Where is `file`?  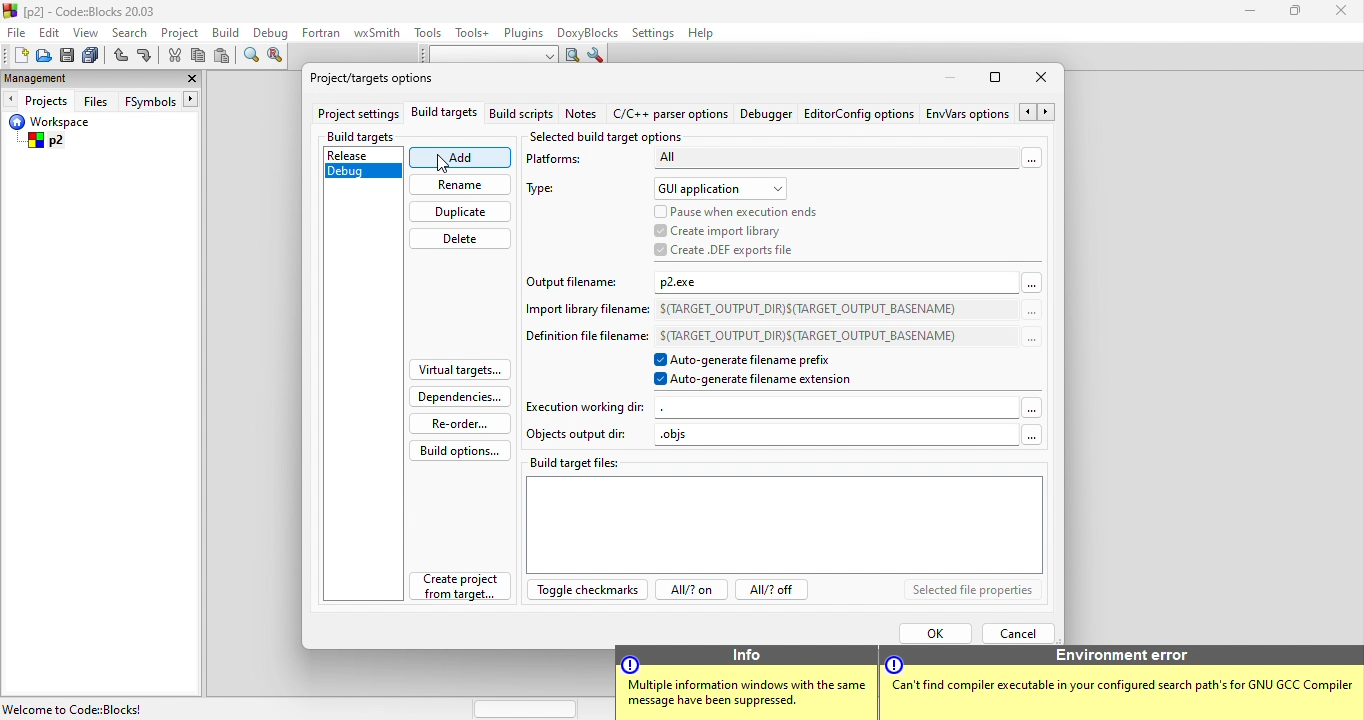 file is located at coordinates (18, 32).